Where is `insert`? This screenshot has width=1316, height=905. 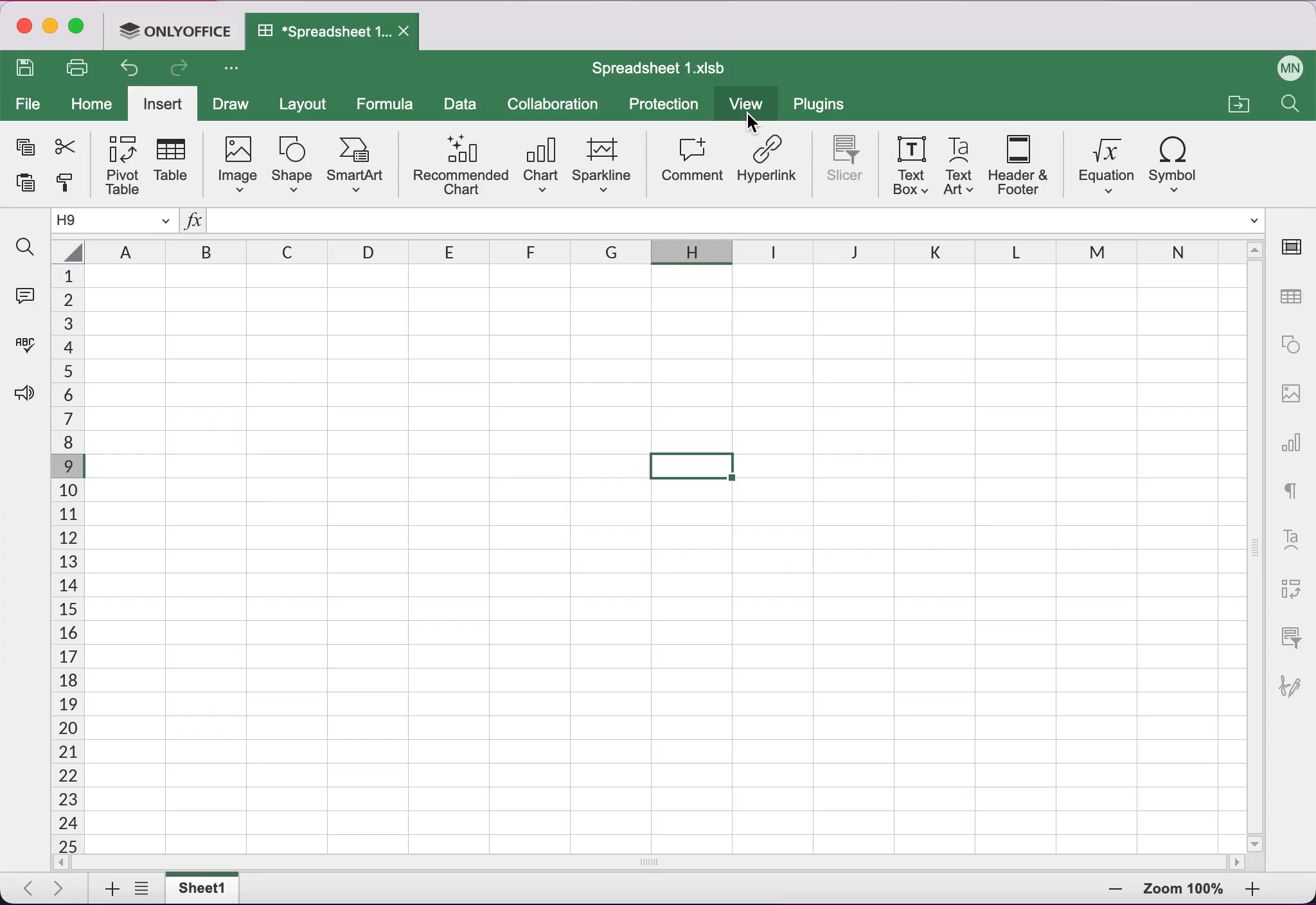
insert is located at coordinates (164, 103).